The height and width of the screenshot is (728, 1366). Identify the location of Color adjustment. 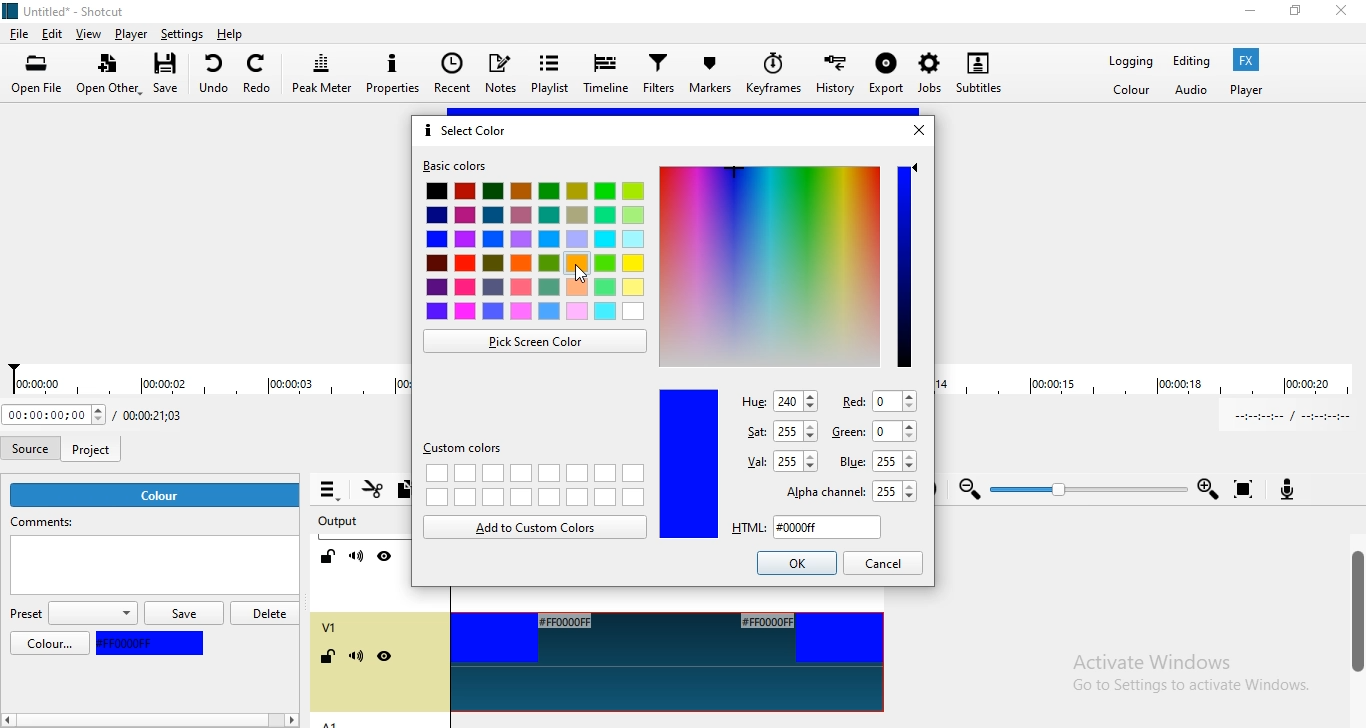
(905, 265).